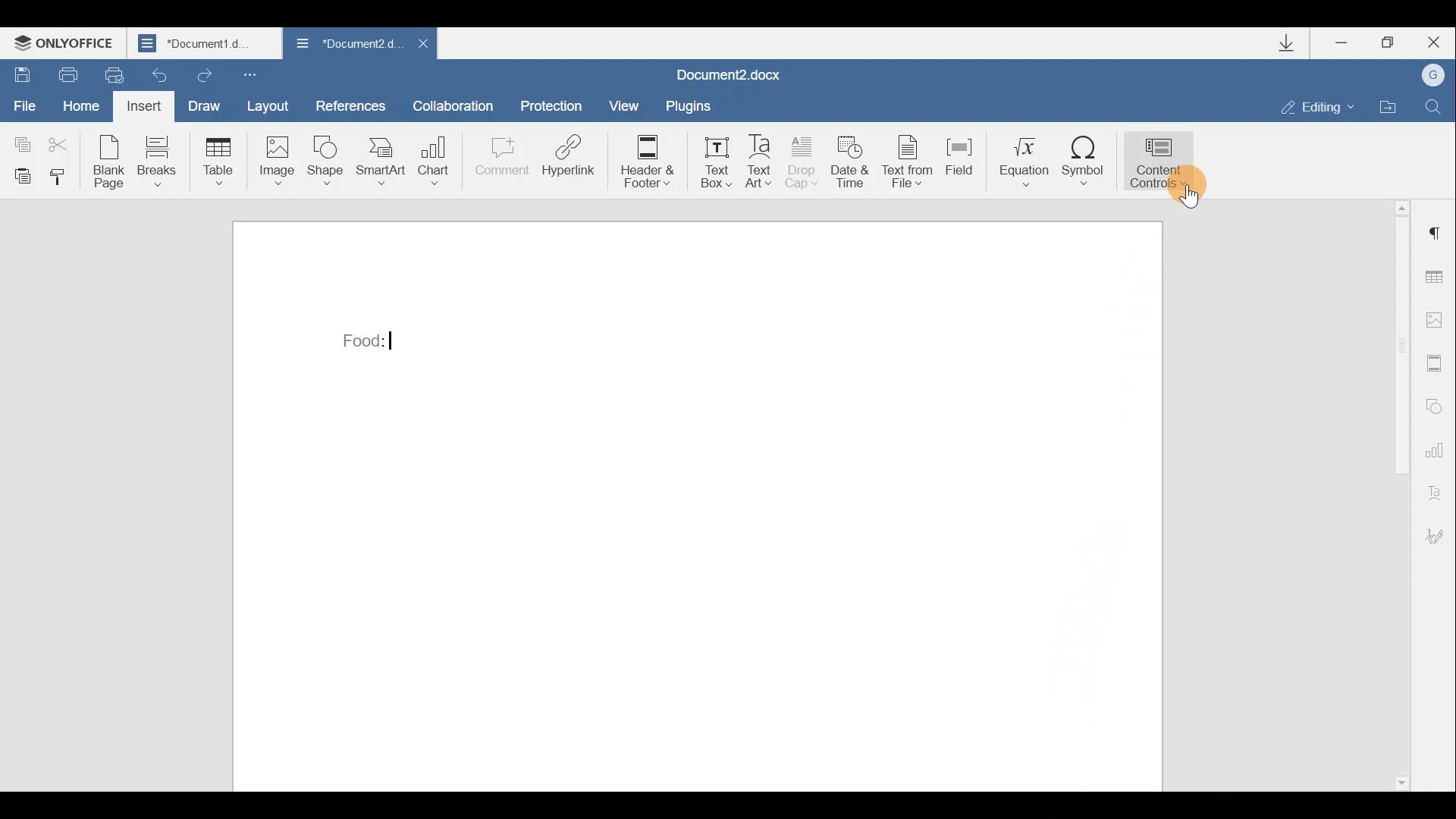  Describe the element at coordinates (852, 165) in the screenshot. I see `Date & time` at that location.